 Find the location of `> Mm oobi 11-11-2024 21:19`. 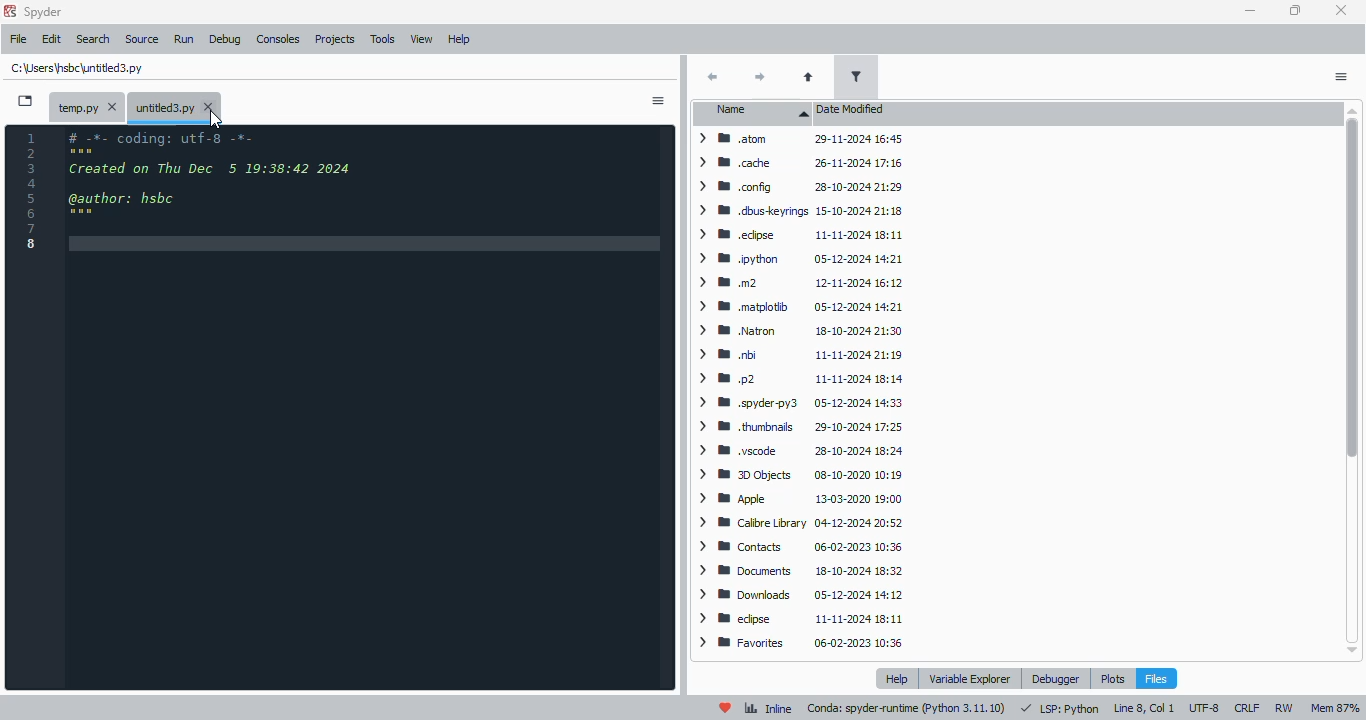

> Mm oobi 11-11-2024 21:19 is located at coordinates (798, 355).